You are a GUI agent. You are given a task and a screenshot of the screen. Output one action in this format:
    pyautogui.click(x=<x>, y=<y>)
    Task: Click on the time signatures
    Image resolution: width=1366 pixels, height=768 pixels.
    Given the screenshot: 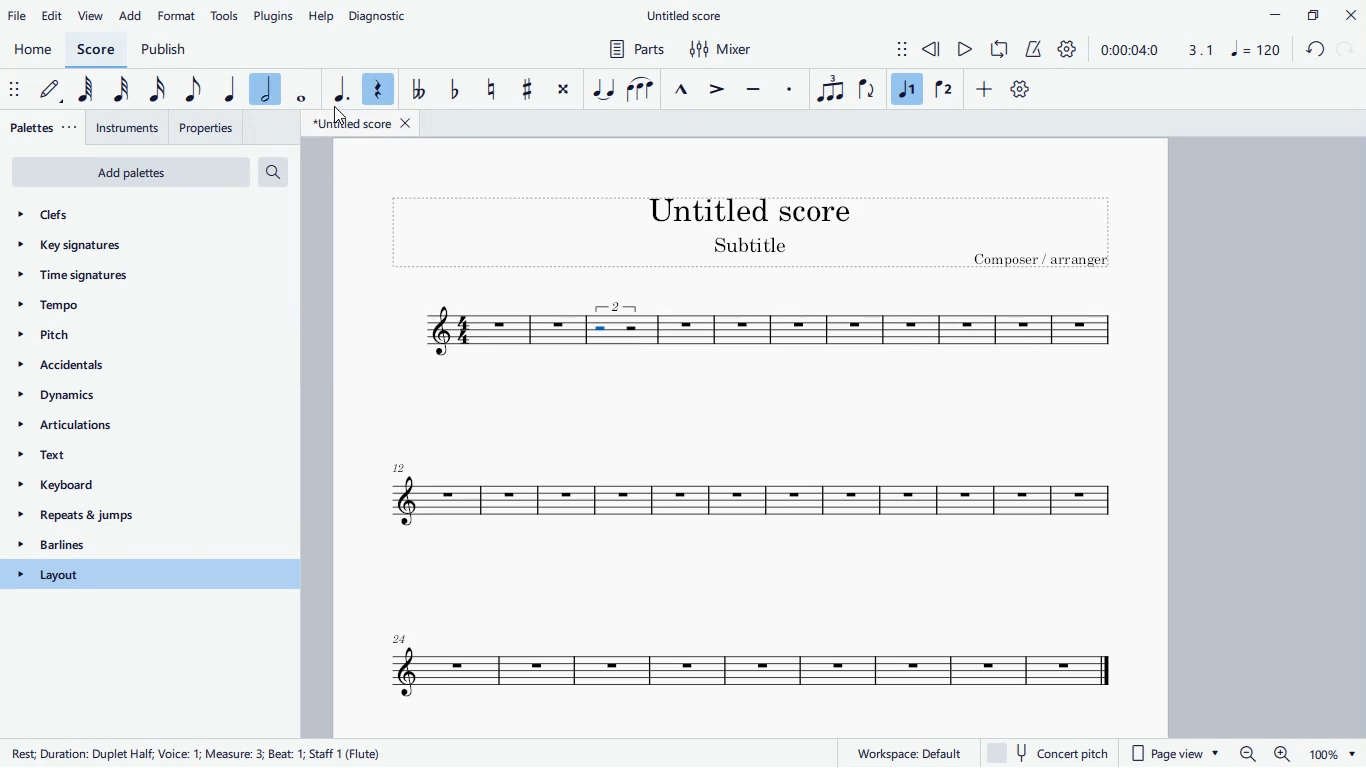 What is the action you would take?
    pyautogui.click(x=123, y=281)
    